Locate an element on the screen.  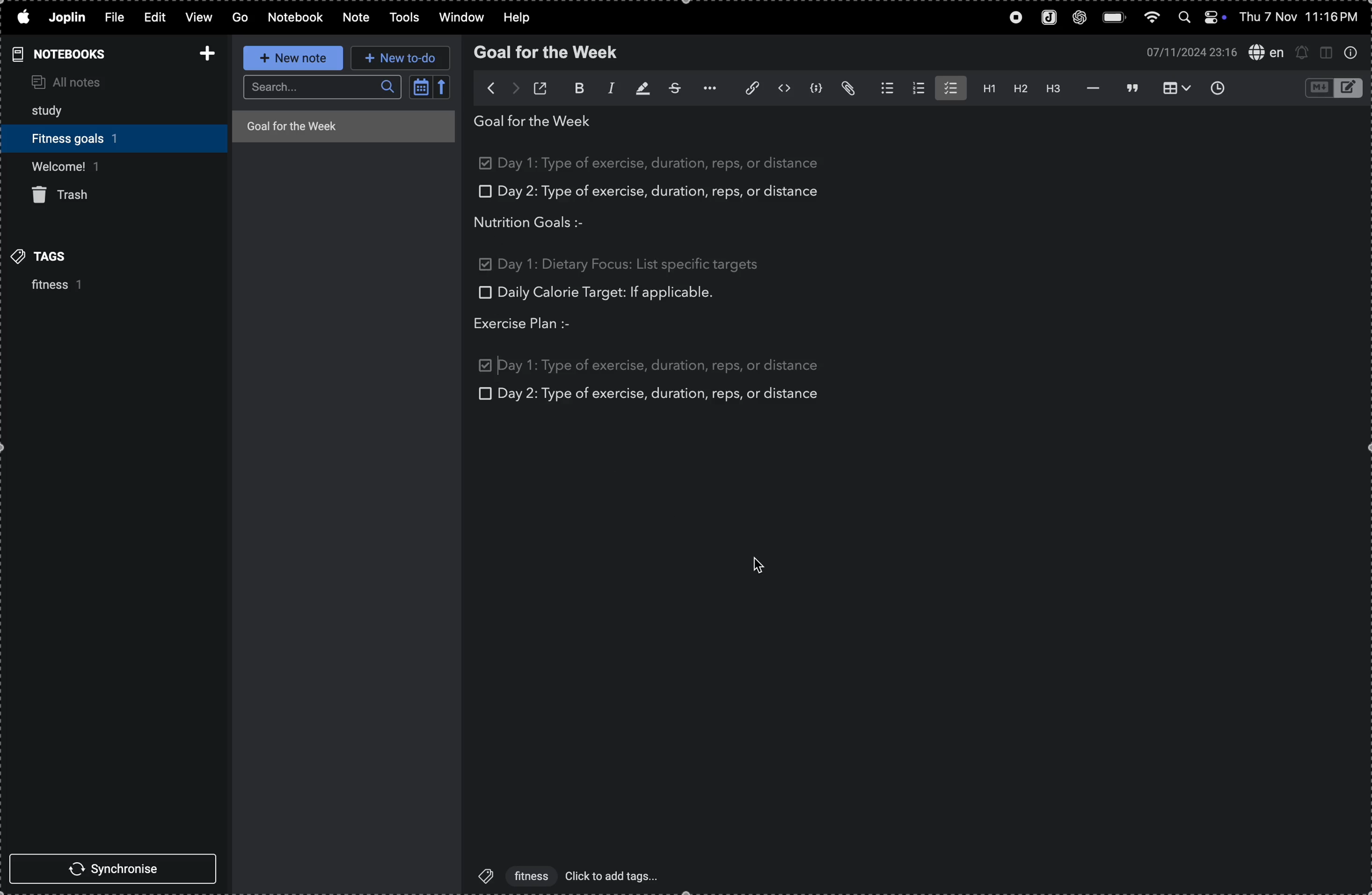
edit is located at coordinates (156, 17).